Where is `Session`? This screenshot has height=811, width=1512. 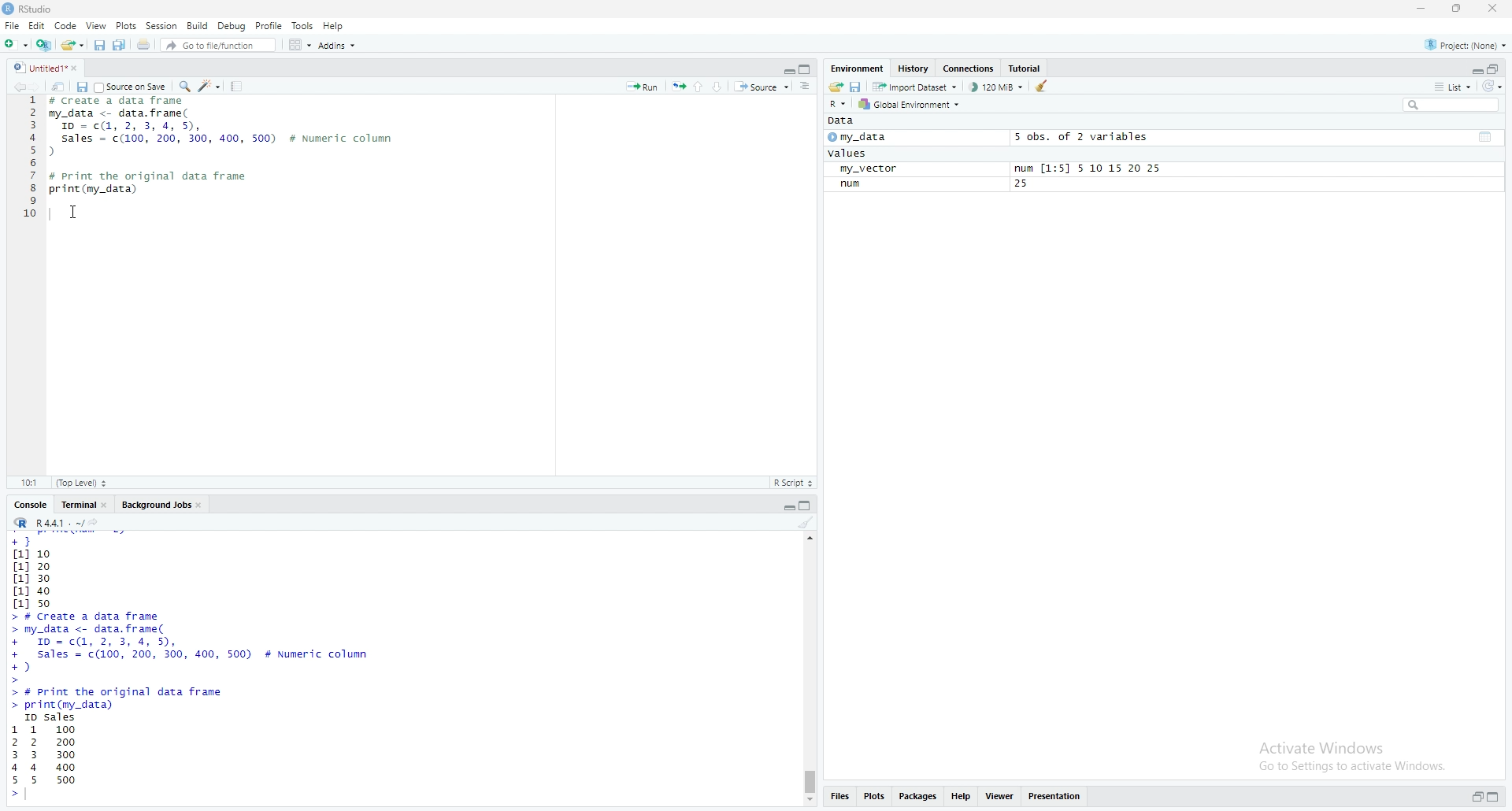
Session is located at coordinates (159, 25).